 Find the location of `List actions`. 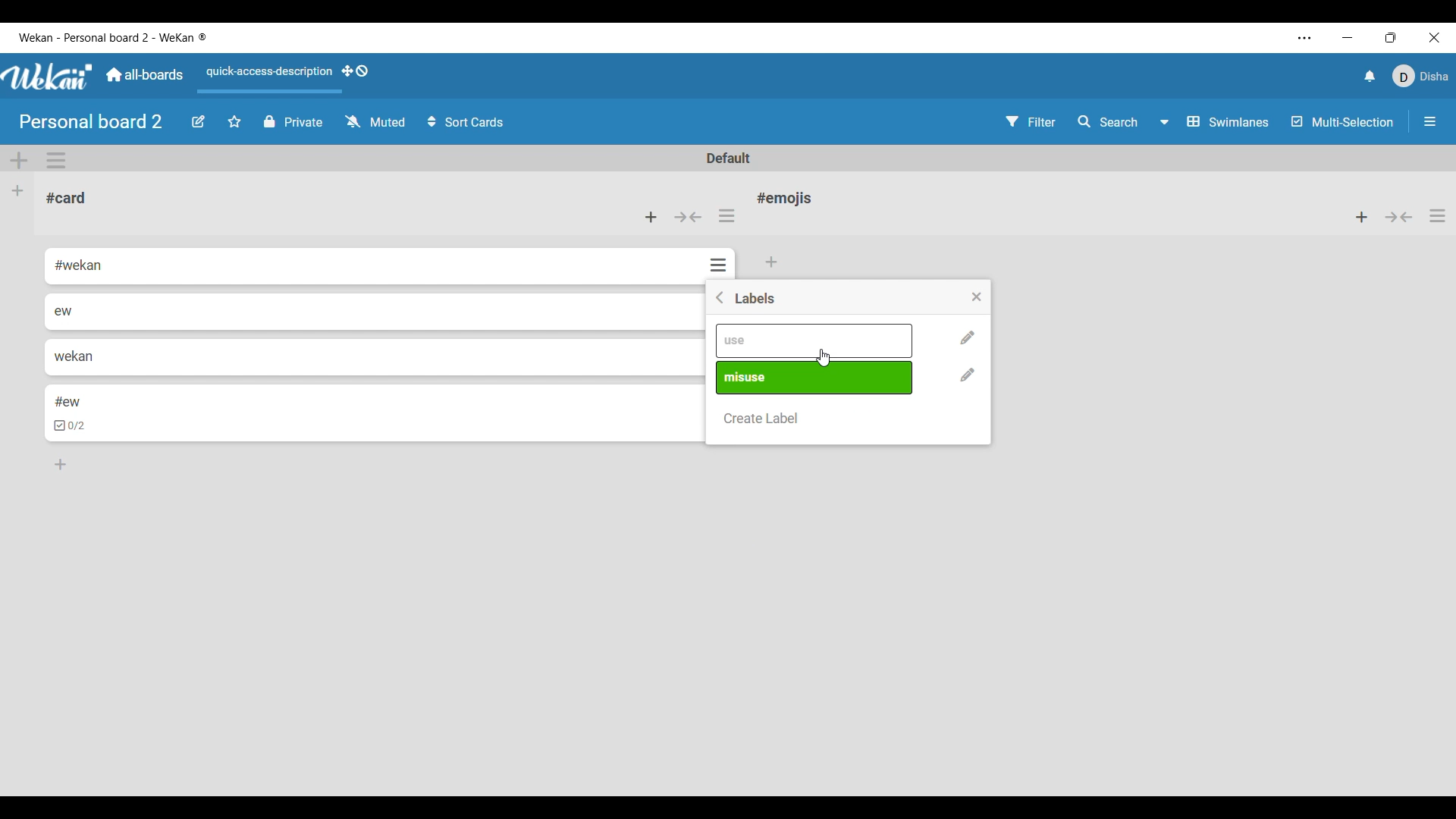

List actions is located at coordinates (1437, 216).